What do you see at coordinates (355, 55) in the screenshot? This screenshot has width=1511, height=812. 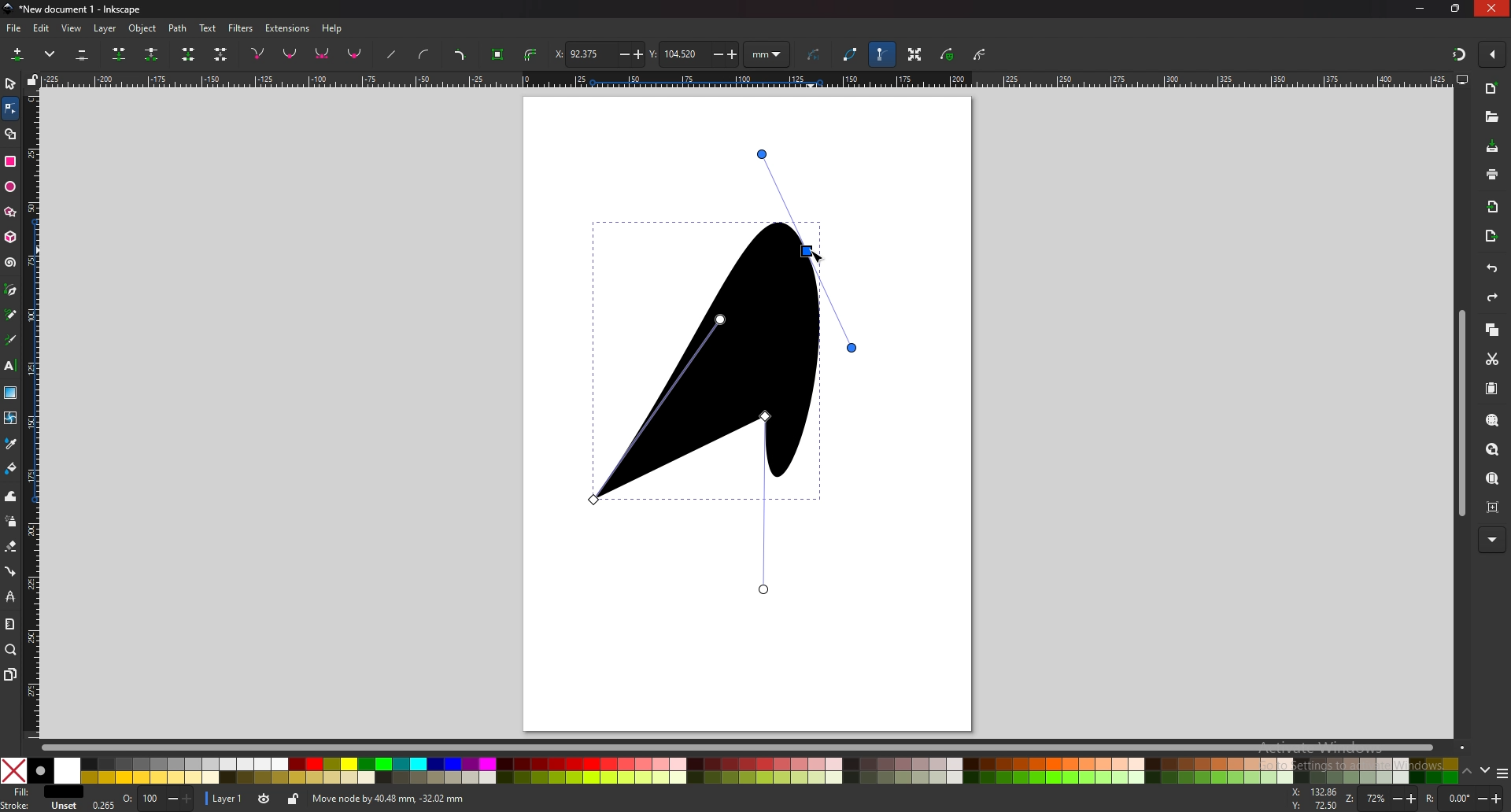 I see `make selected nodes auto smooth` at bounding box center [355, 55].